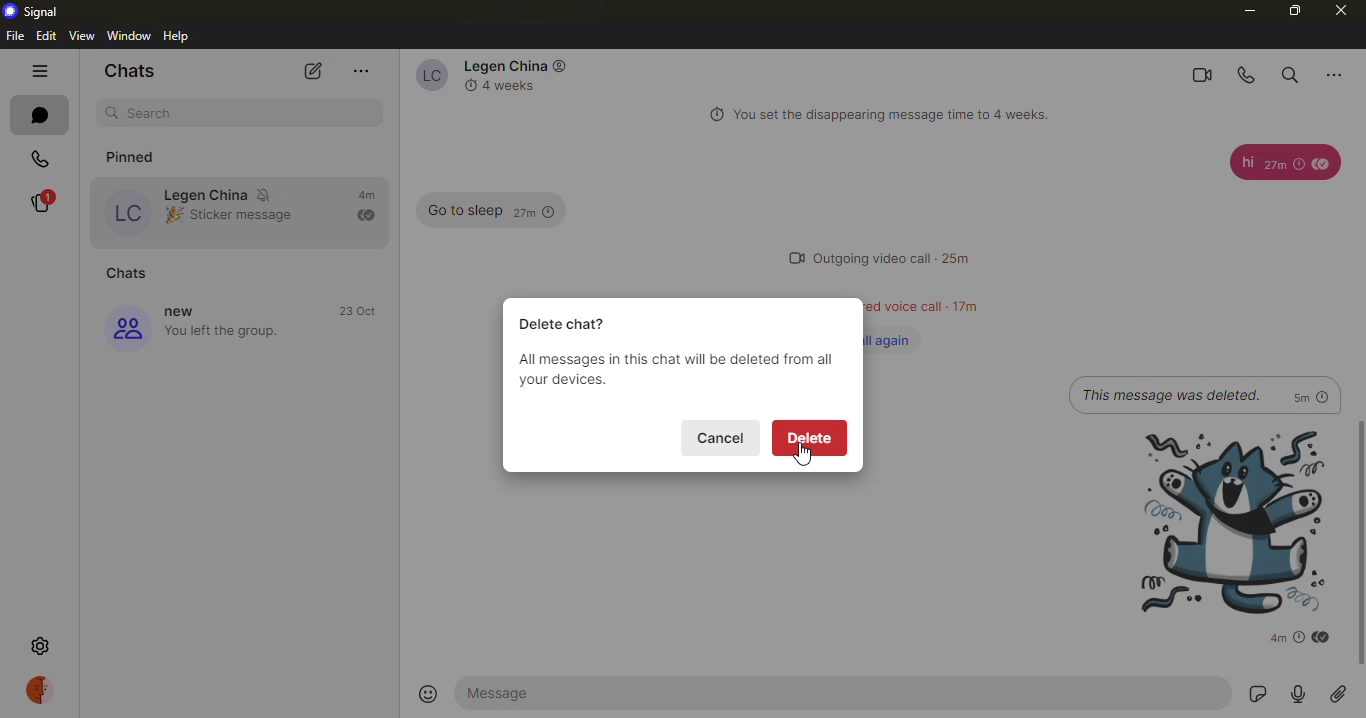  I want to click on time, so click(360, 311).